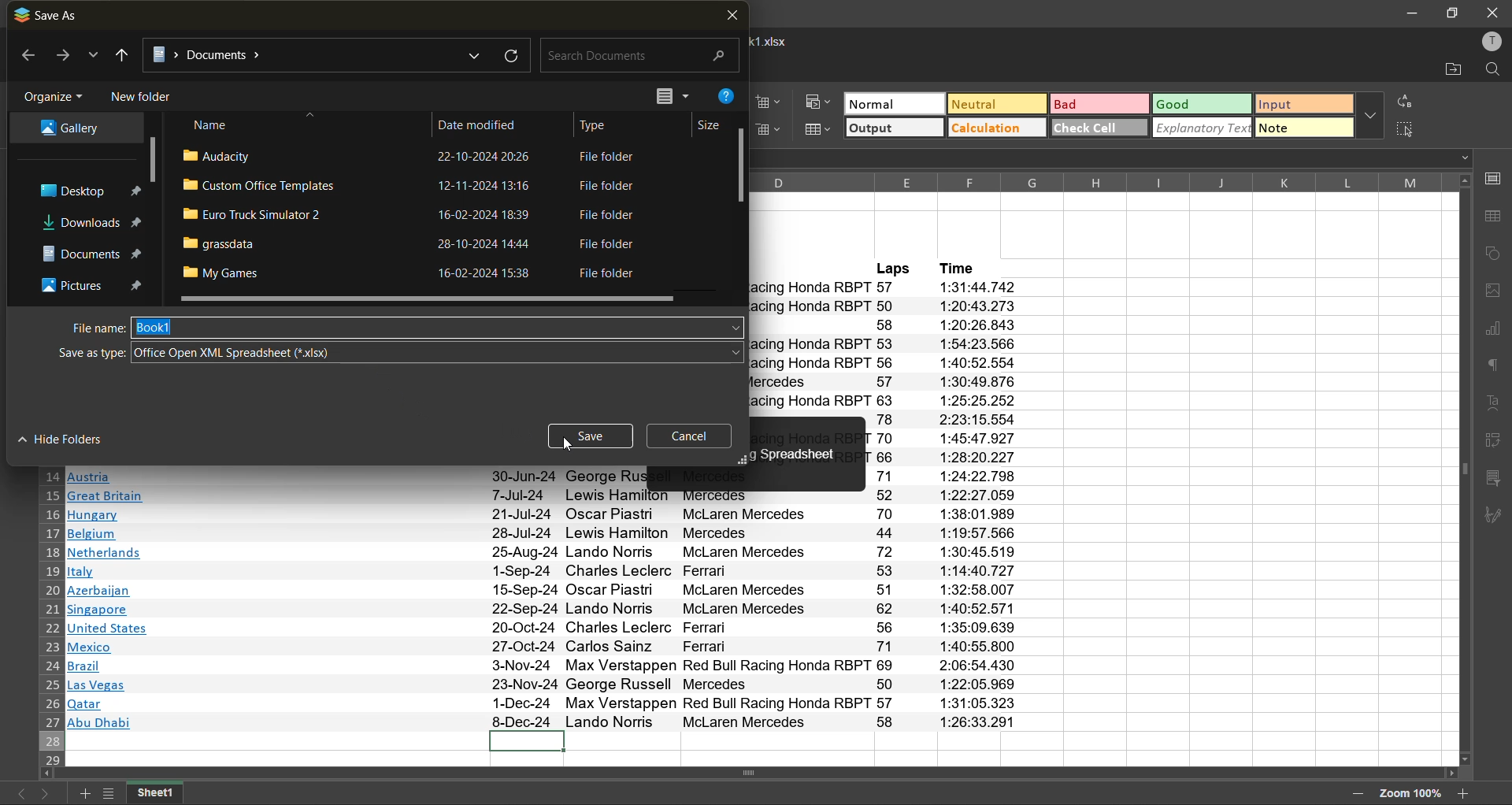 This screenshot has height=805, width=1512. I want to click on find, so click(1494, 69).